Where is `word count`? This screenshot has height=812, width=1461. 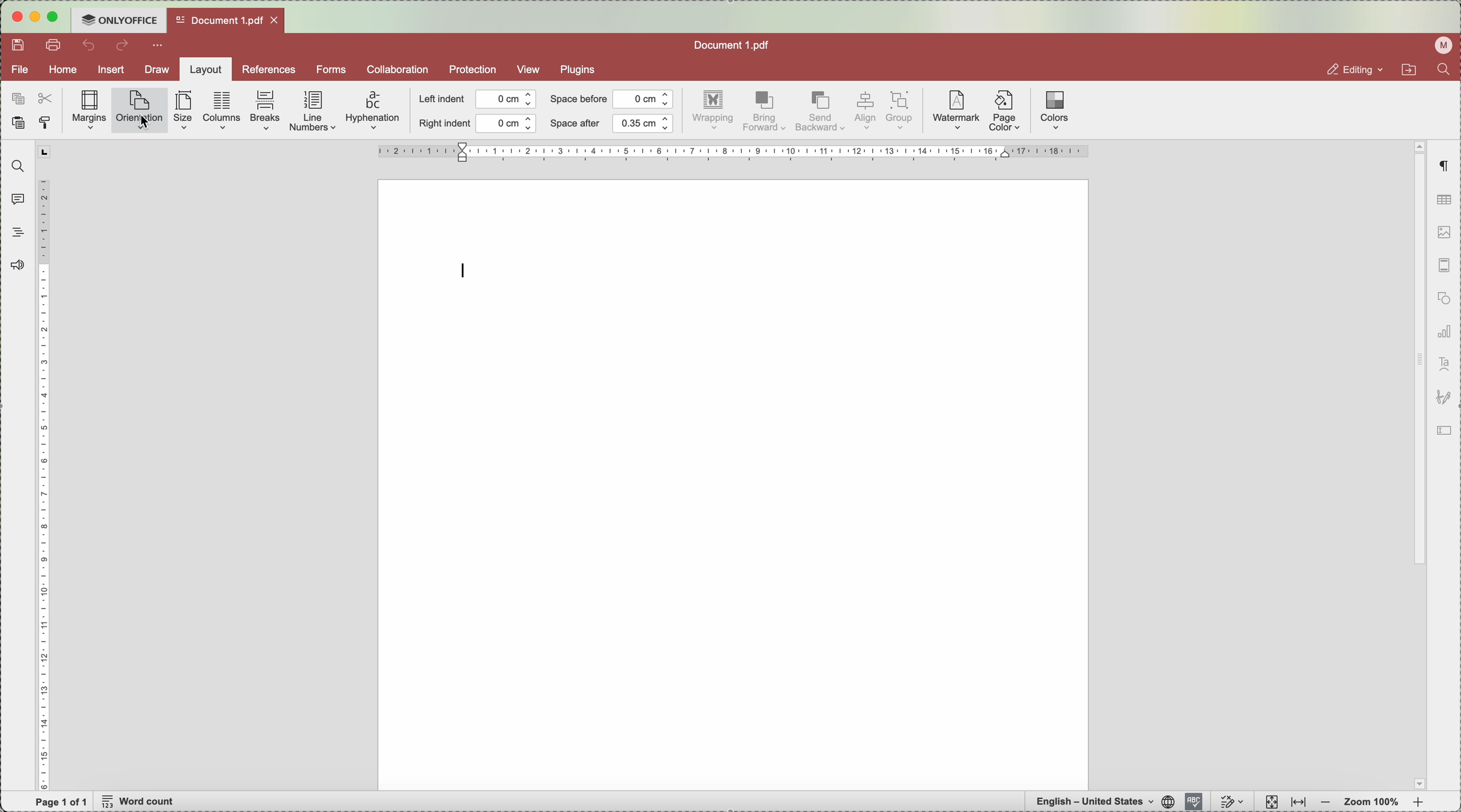 word count is located at coordinates (141, 802).